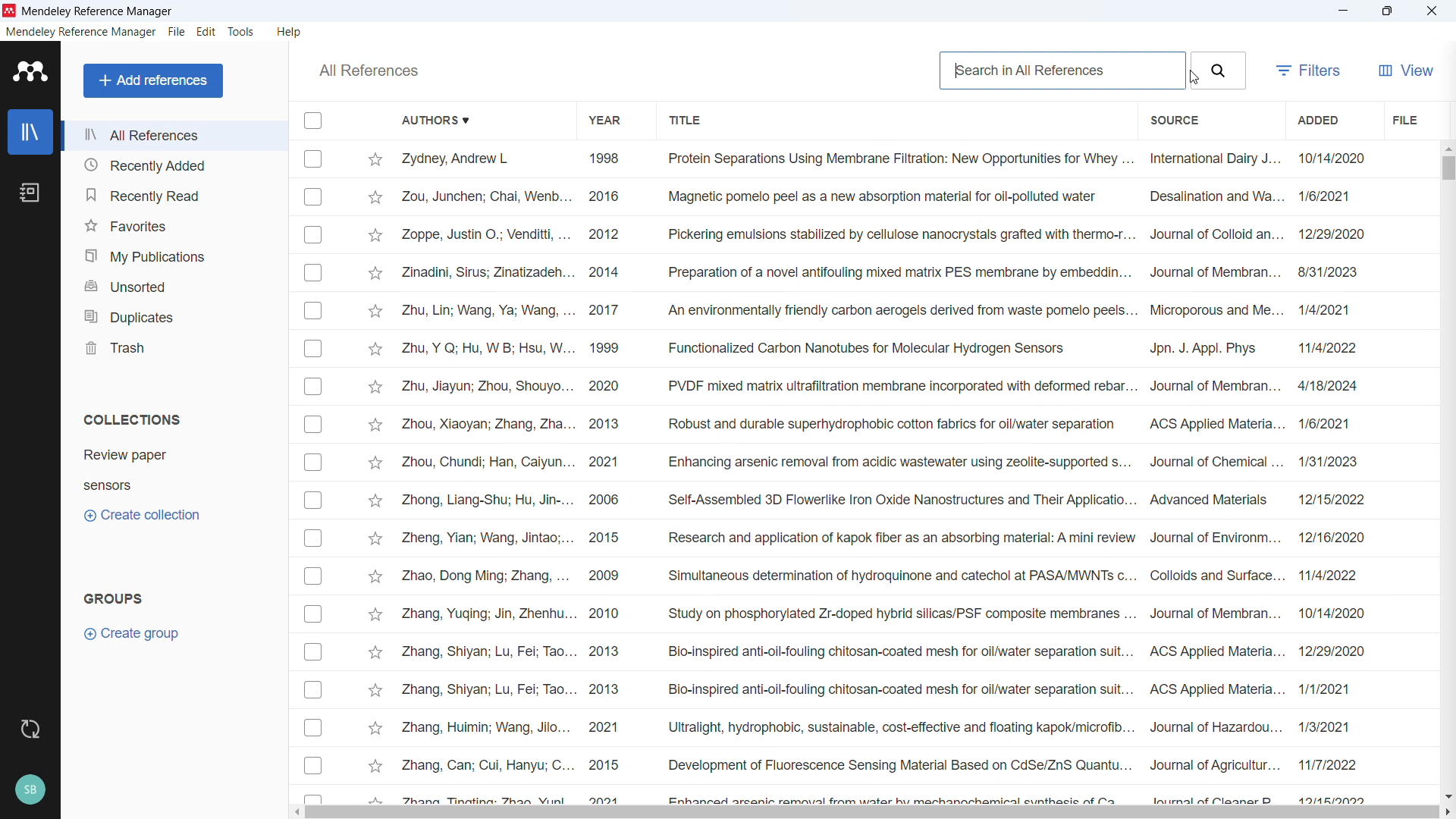 This screenshot has width=1456, height=819. I want to click on Source of individual entries , so click(1214, 475).